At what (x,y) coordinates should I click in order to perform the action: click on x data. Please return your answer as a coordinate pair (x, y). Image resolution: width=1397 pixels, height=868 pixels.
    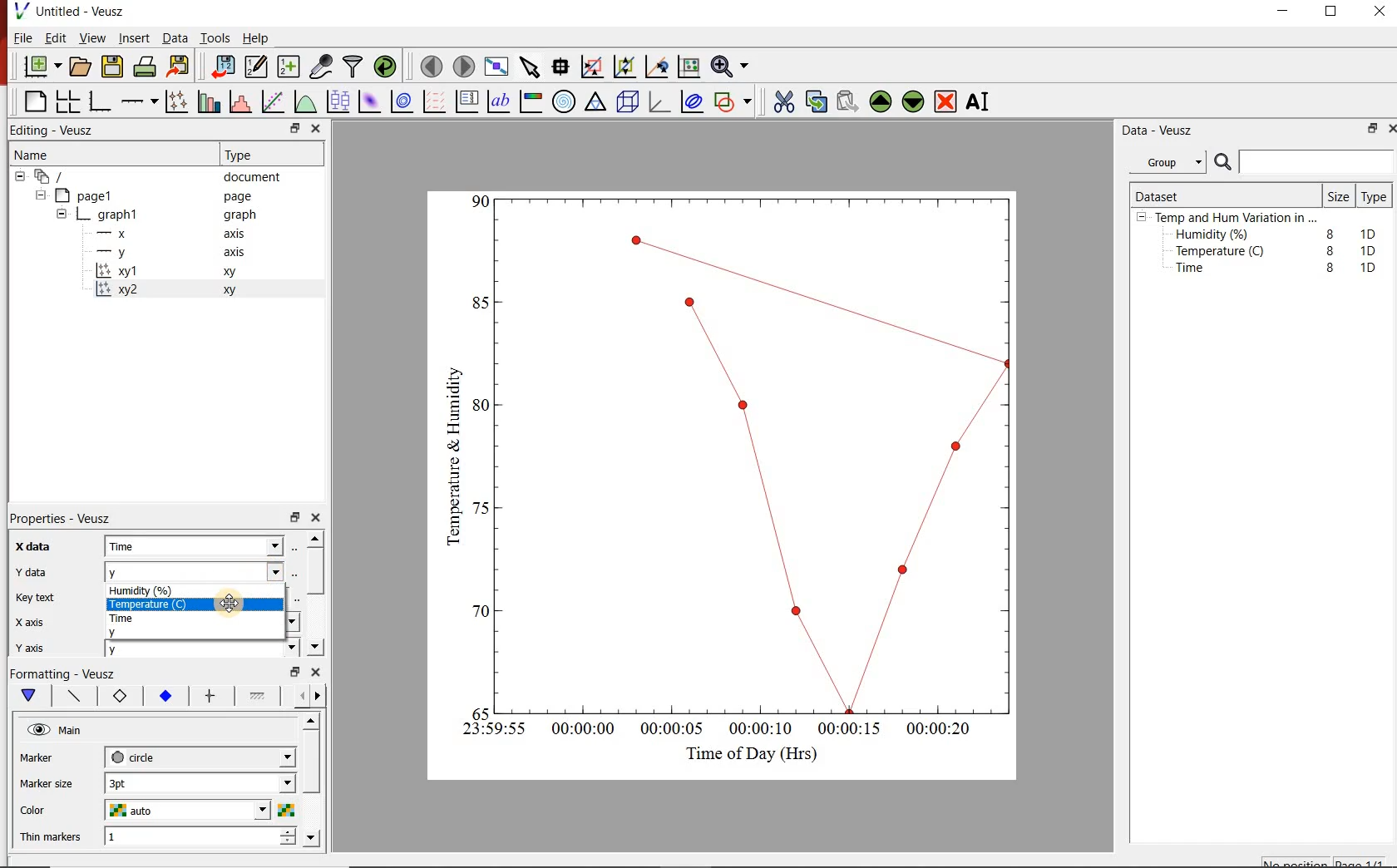
    Looking at the image, I should click on (42, 542).